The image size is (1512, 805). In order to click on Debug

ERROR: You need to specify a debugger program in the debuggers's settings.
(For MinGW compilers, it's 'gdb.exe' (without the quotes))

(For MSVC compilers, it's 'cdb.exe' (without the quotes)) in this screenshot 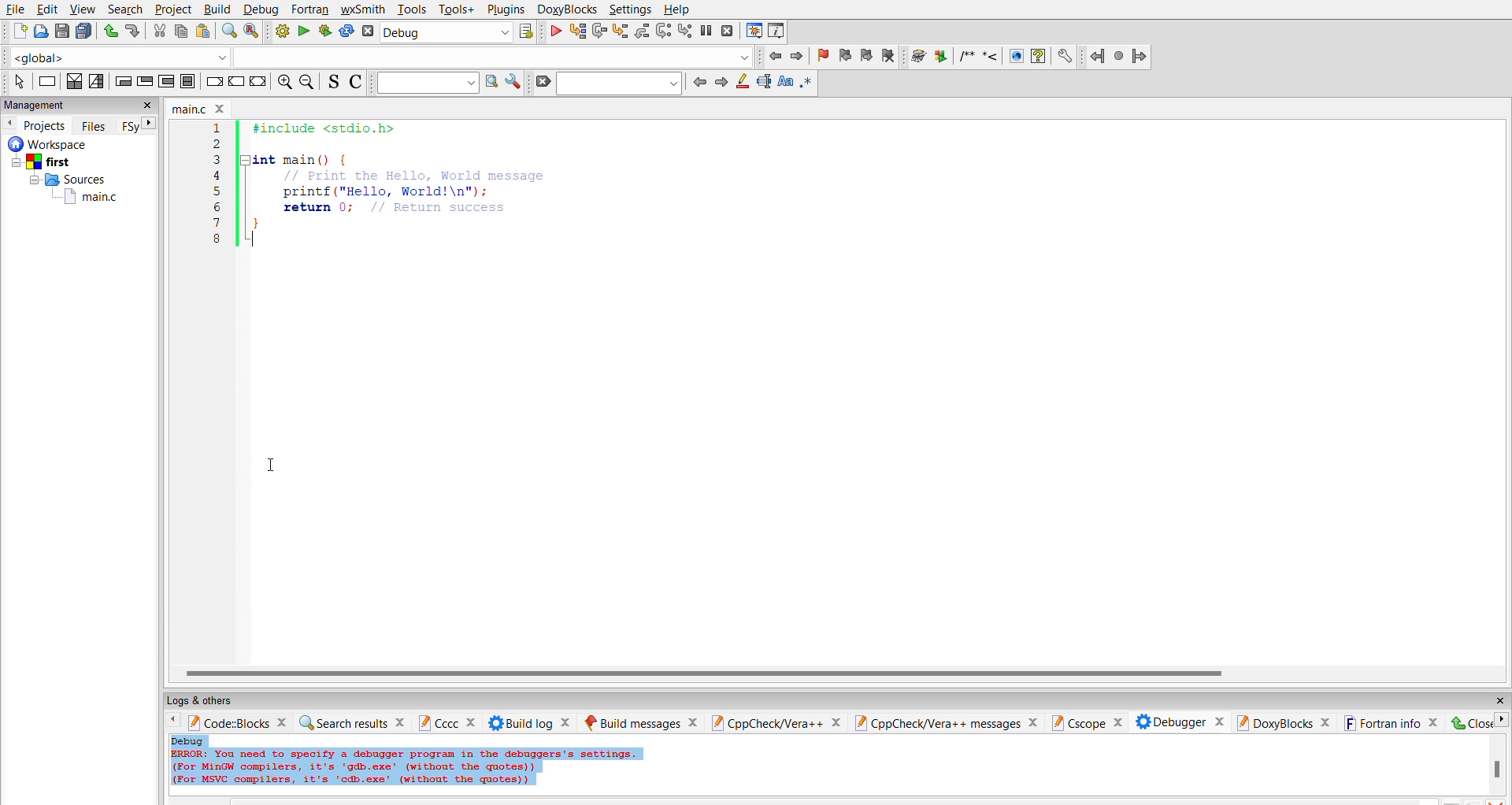, I will do `click(407, 762)`.